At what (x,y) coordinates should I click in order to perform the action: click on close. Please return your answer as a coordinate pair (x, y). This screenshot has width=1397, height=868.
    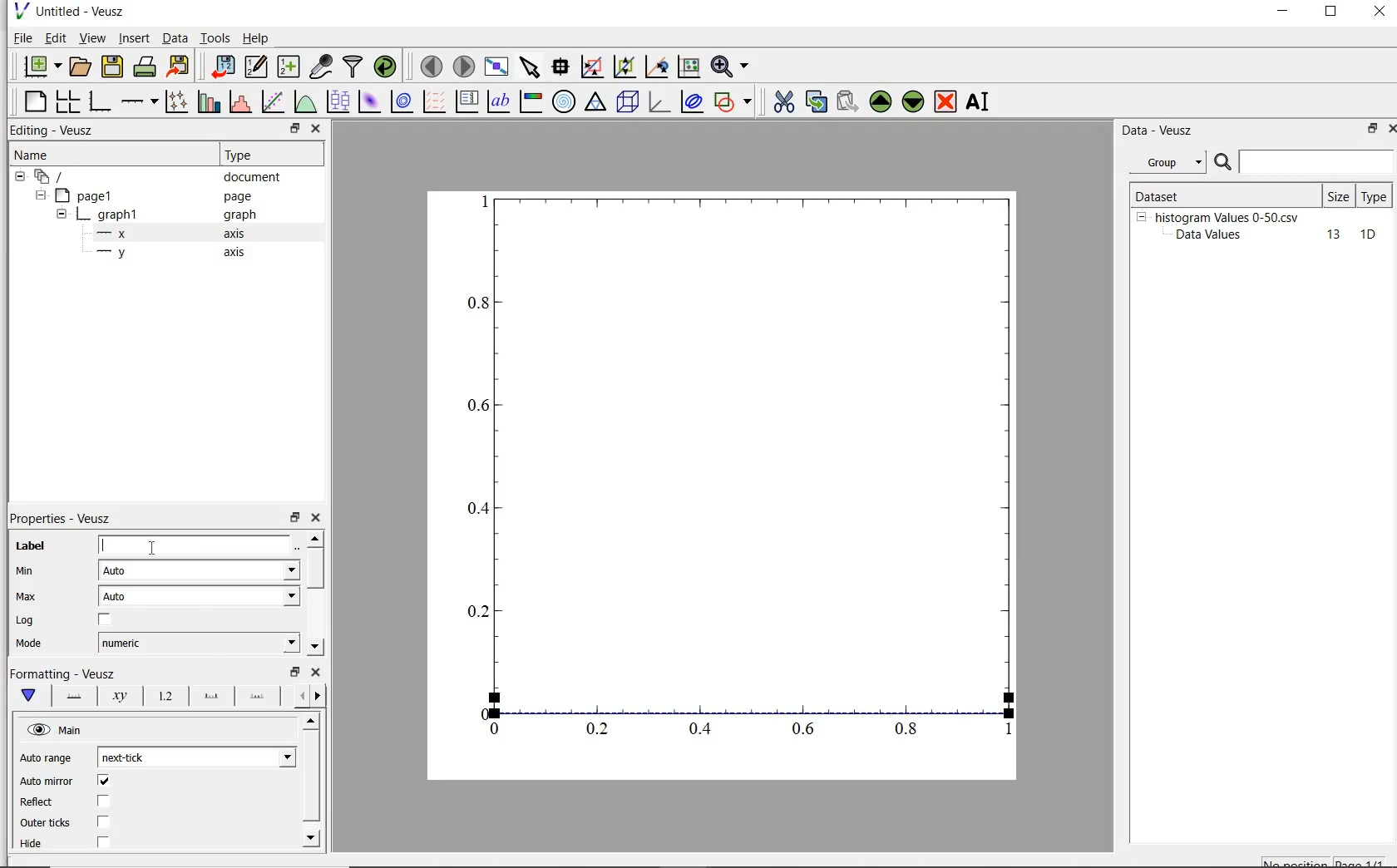
    Looking at the image, I should click on (319, 518).